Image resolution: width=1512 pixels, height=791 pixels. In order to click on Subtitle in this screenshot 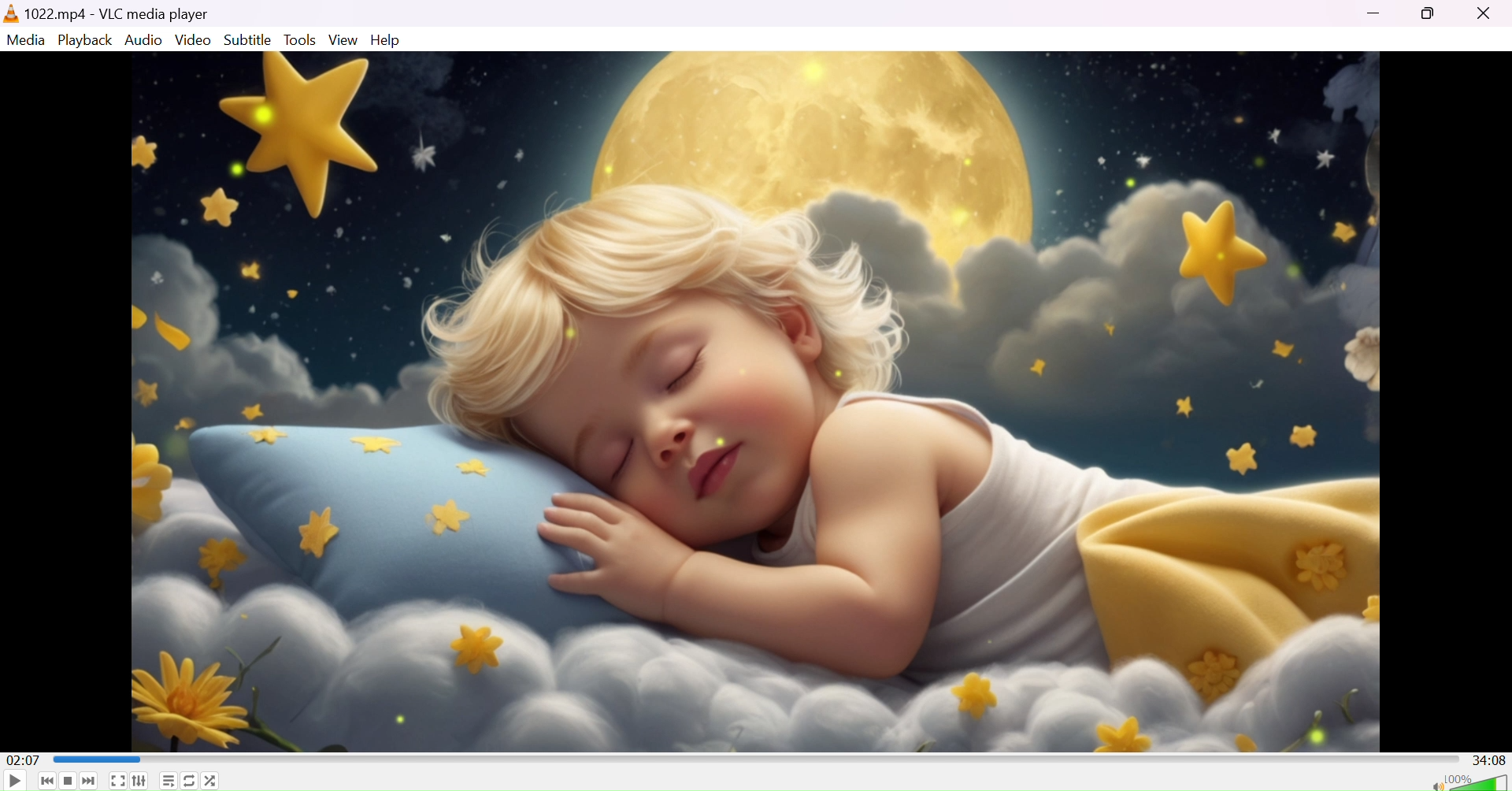, I will do `click(249, 41)`.